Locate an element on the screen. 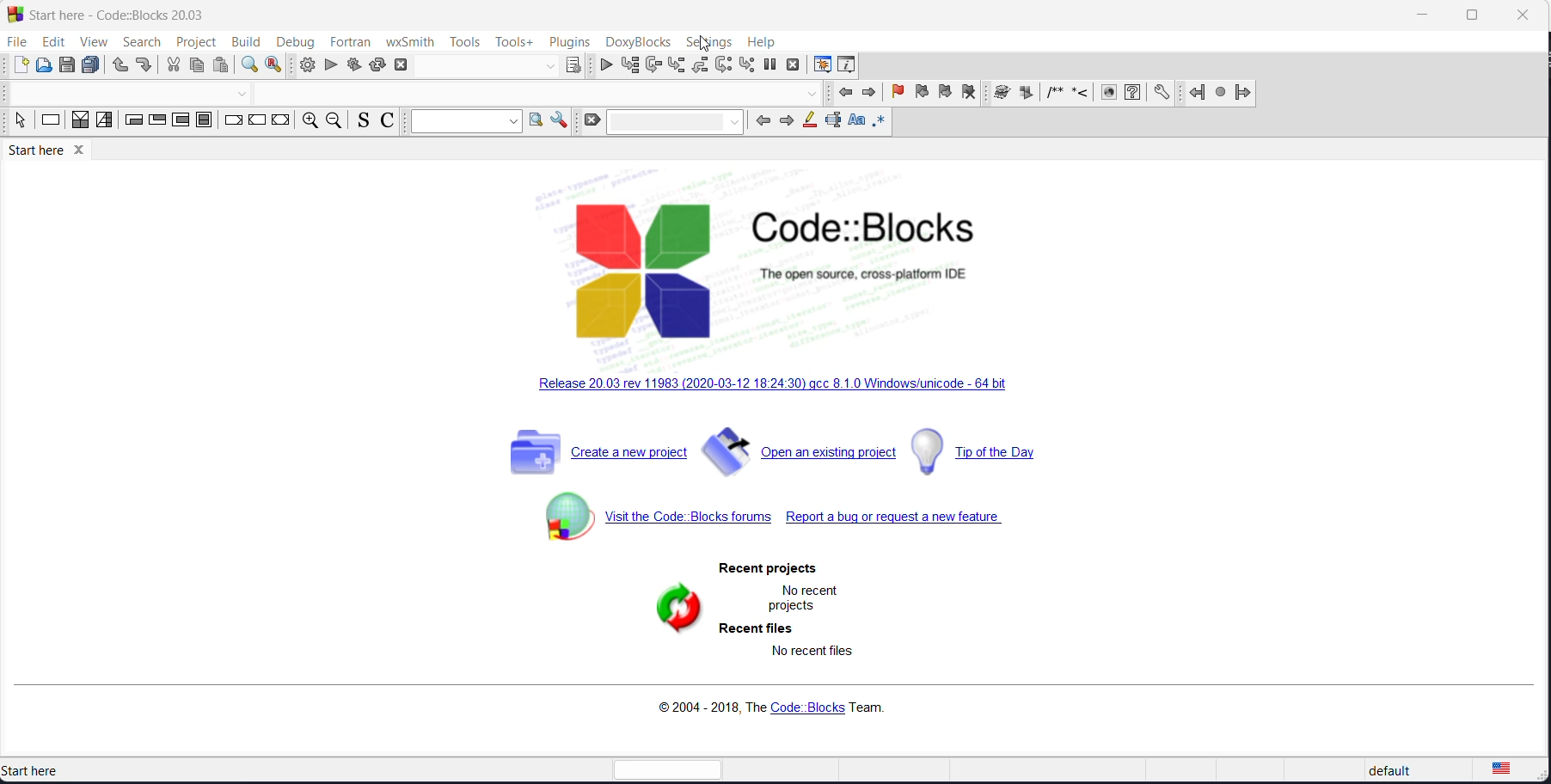 Image resolution: width=1551 pixels, height=784 pixels. stop debugging is located at coordinates (794, 65).